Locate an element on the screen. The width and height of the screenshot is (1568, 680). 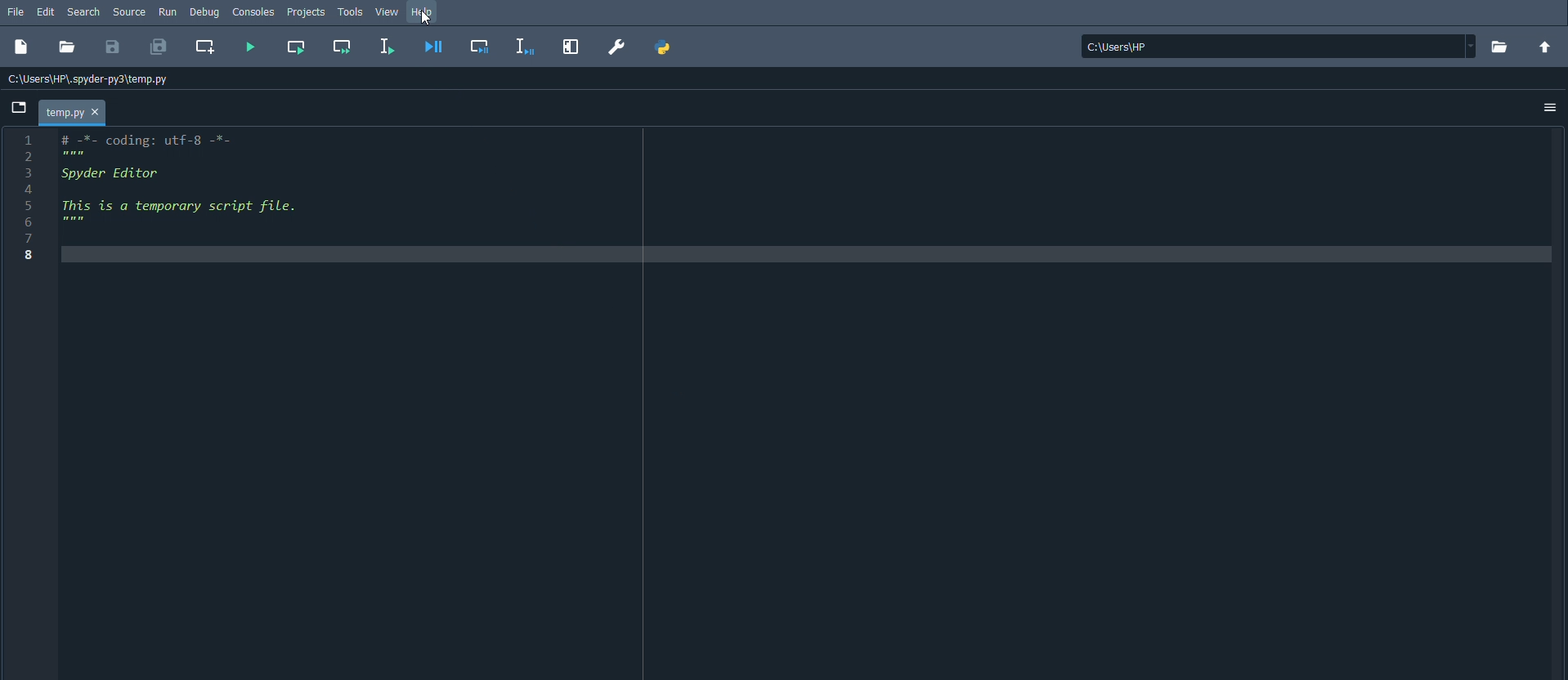
Preferences is located at coordinates (617, 47).